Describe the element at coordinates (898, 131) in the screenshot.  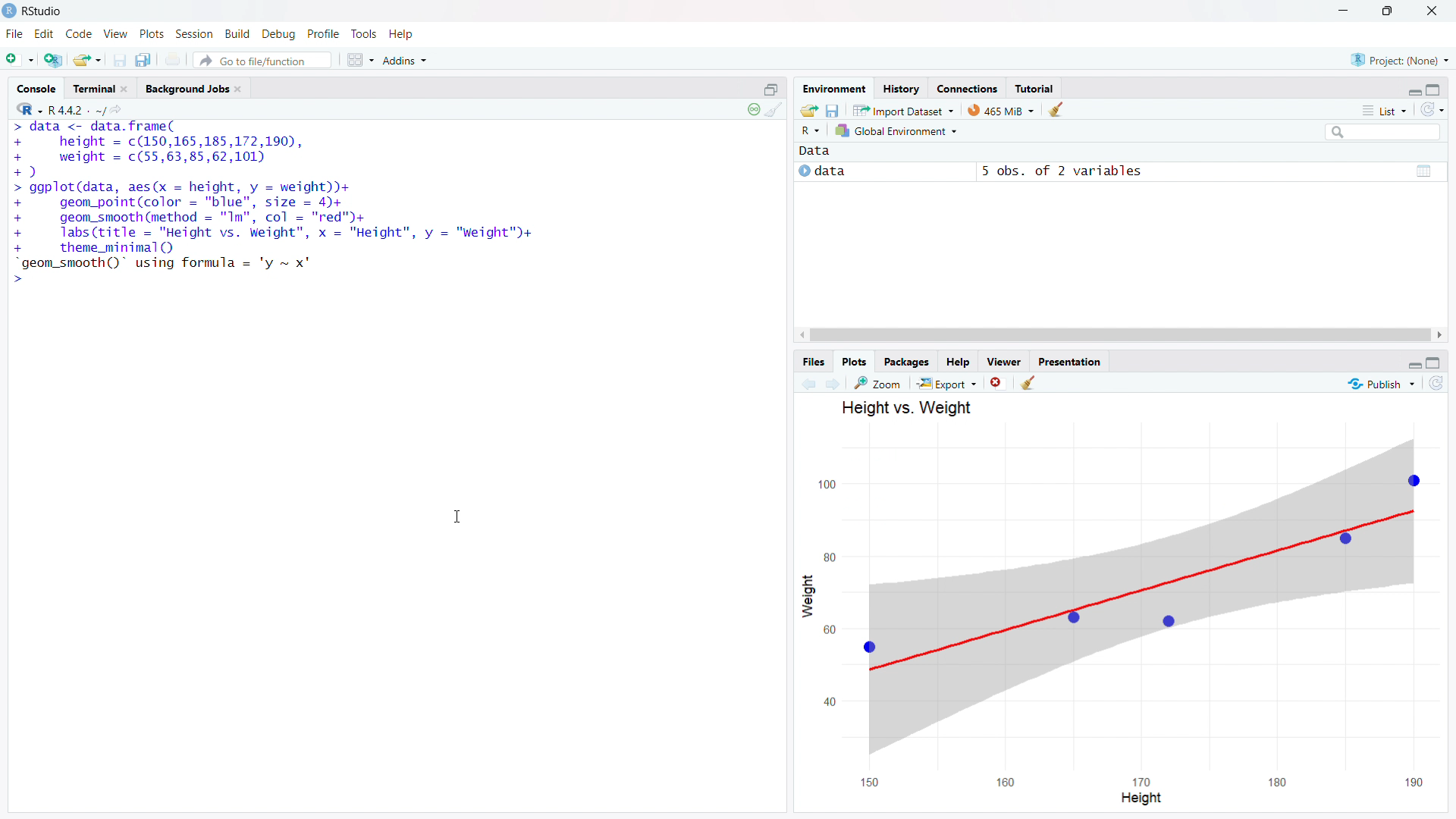
I see `select environment` at that location.